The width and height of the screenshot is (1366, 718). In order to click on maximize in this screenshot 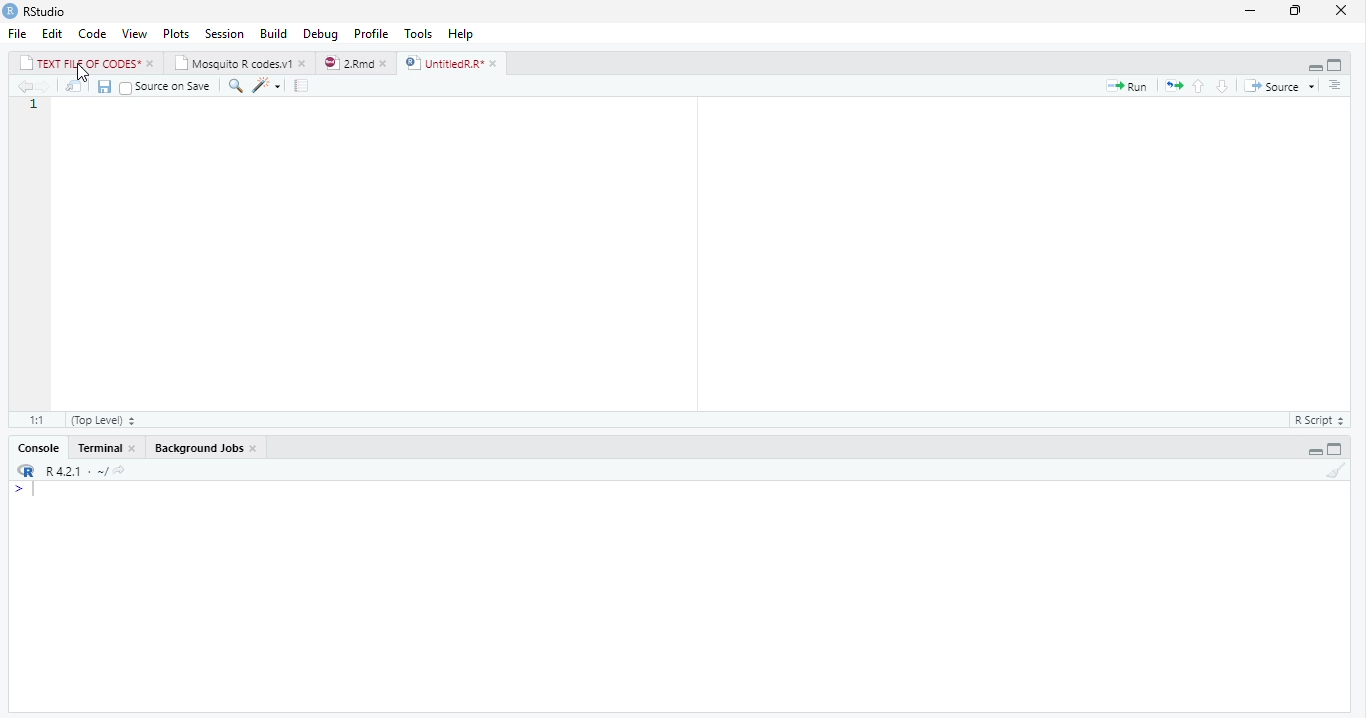, I will do `click(1335, 66)`.